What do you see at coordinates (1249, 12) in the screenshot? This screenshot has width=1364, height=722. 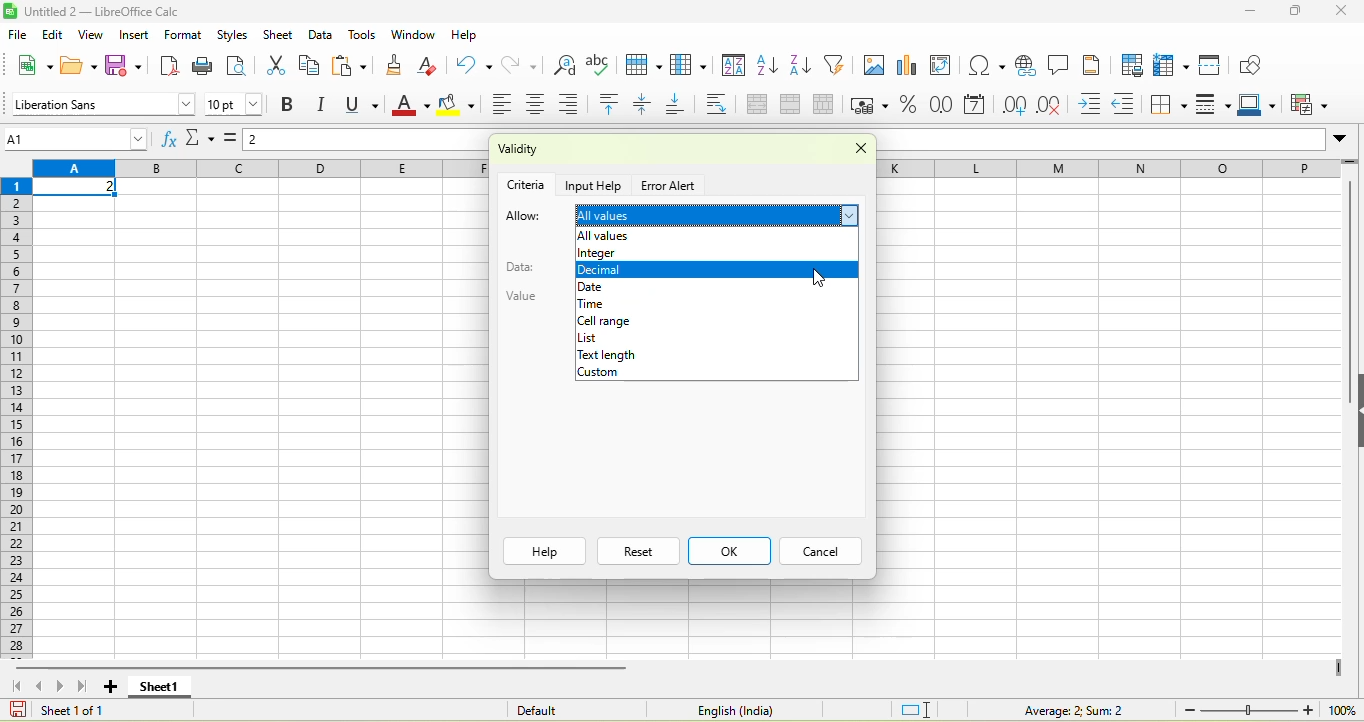 I see `minuimize` at bounding box center [1249, 12].